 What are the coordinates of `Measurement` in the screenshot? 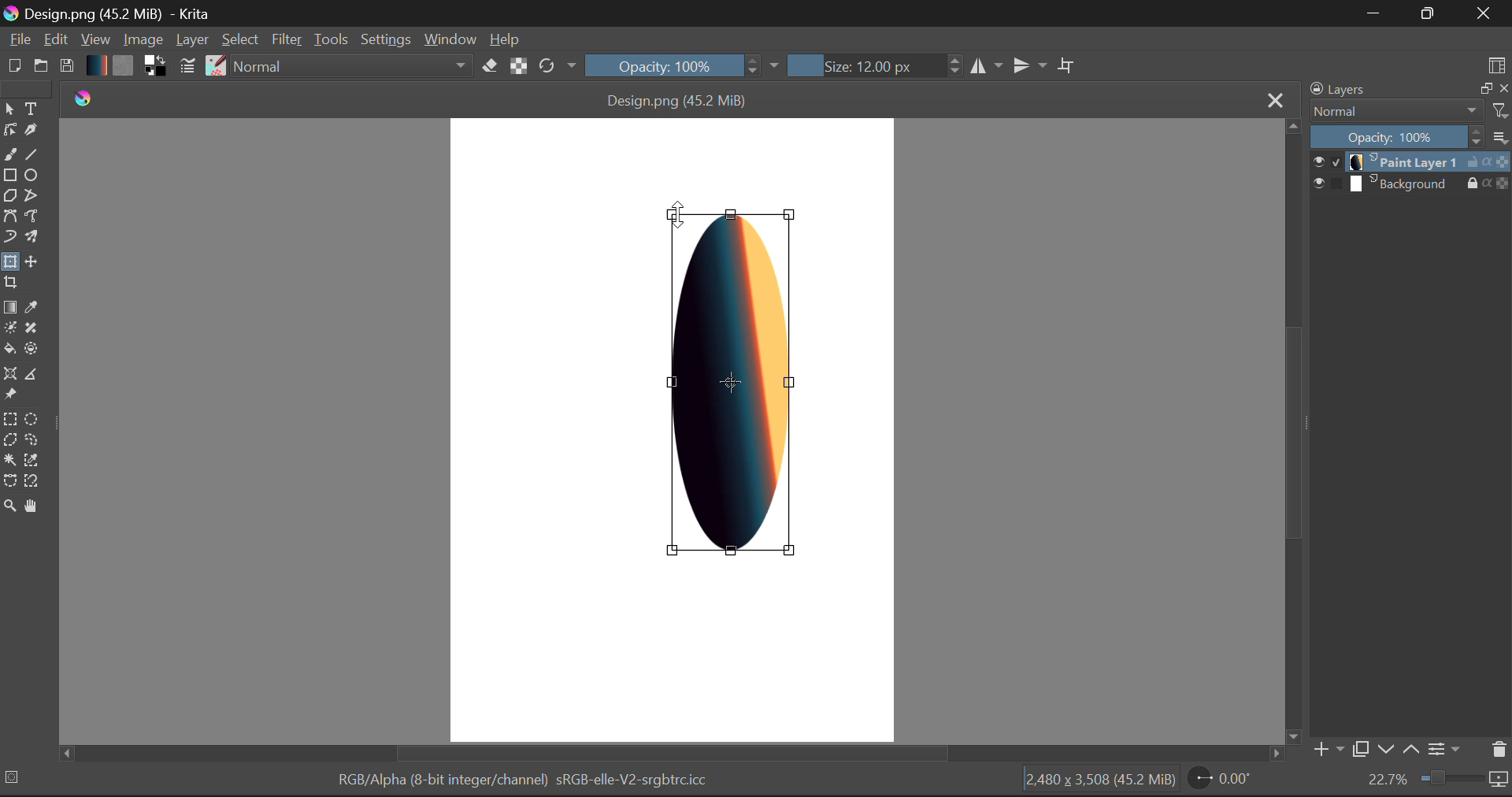 It's located at (32, 376).